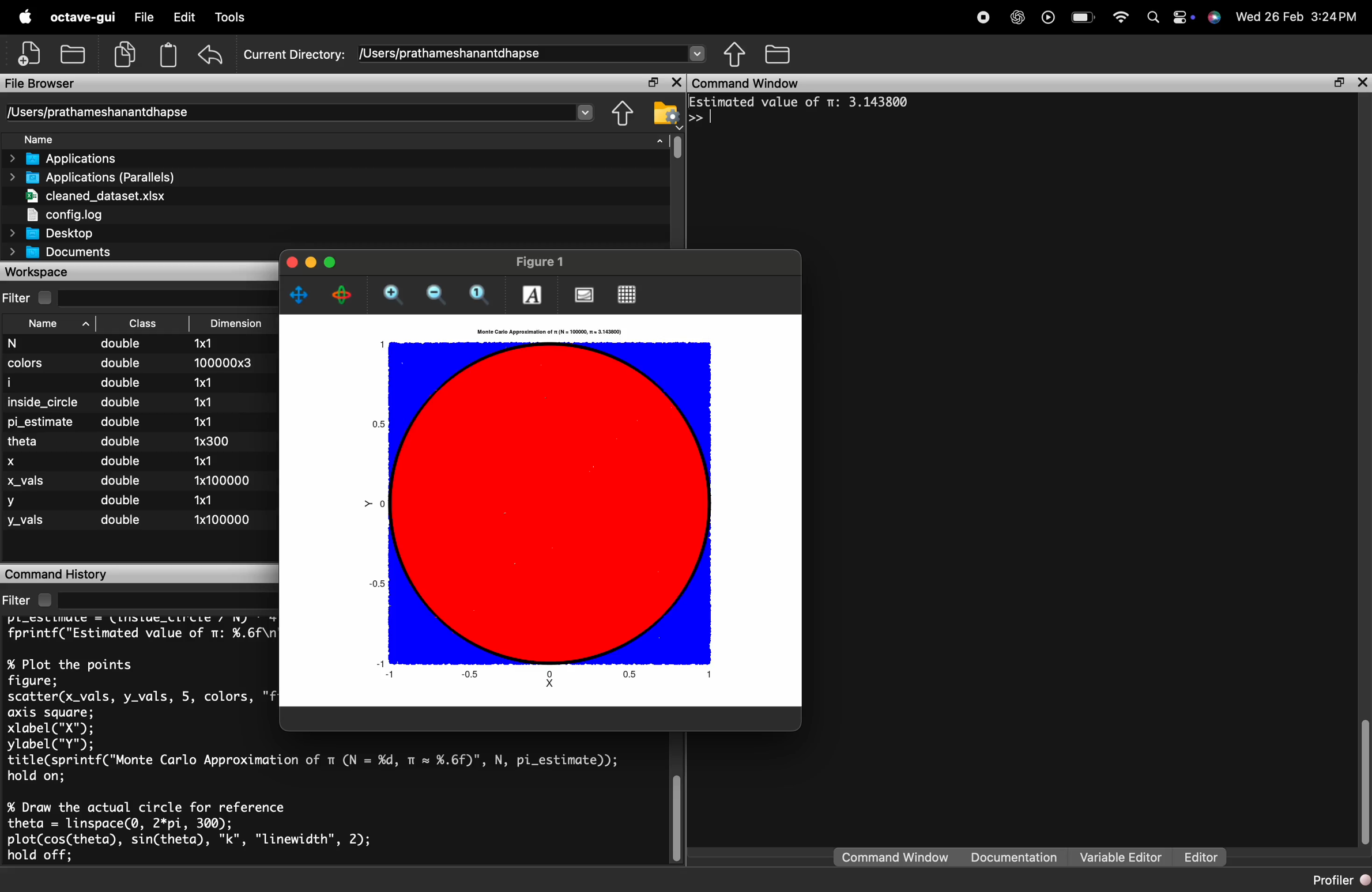 The image size is (1372, 892). I want to click on 1x1, so click(207, 421).